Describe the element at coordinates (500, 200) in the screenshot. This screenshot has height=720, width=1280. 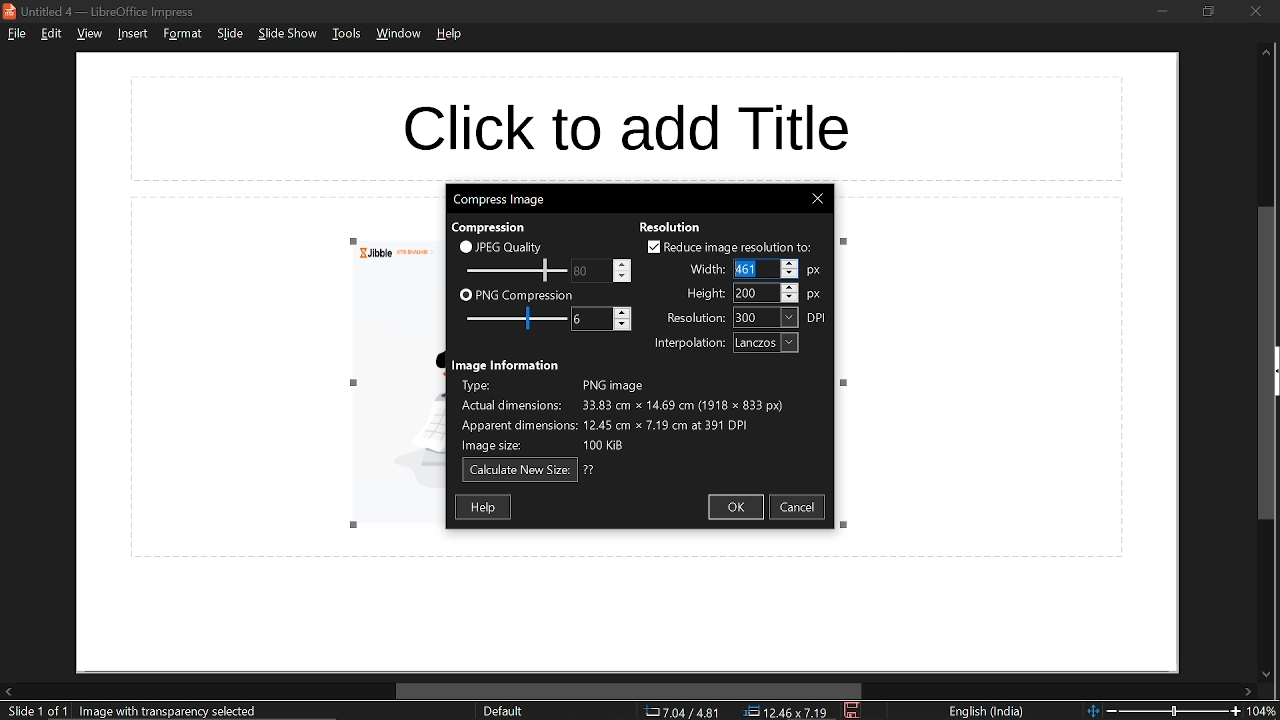
I see `current window` at that location.